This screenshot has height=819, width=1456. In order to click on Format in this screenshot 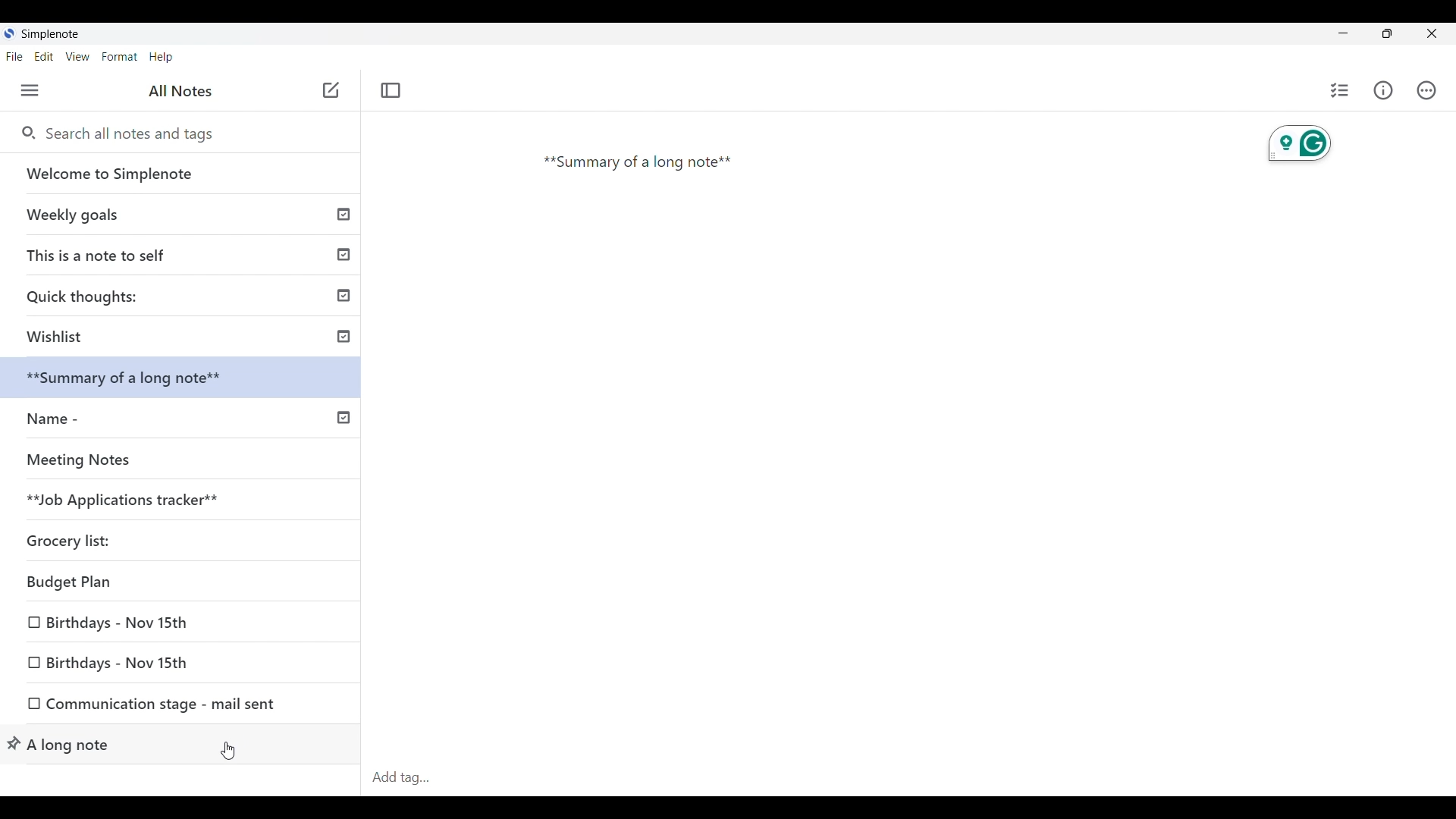, I will do `click(120, 57)`.